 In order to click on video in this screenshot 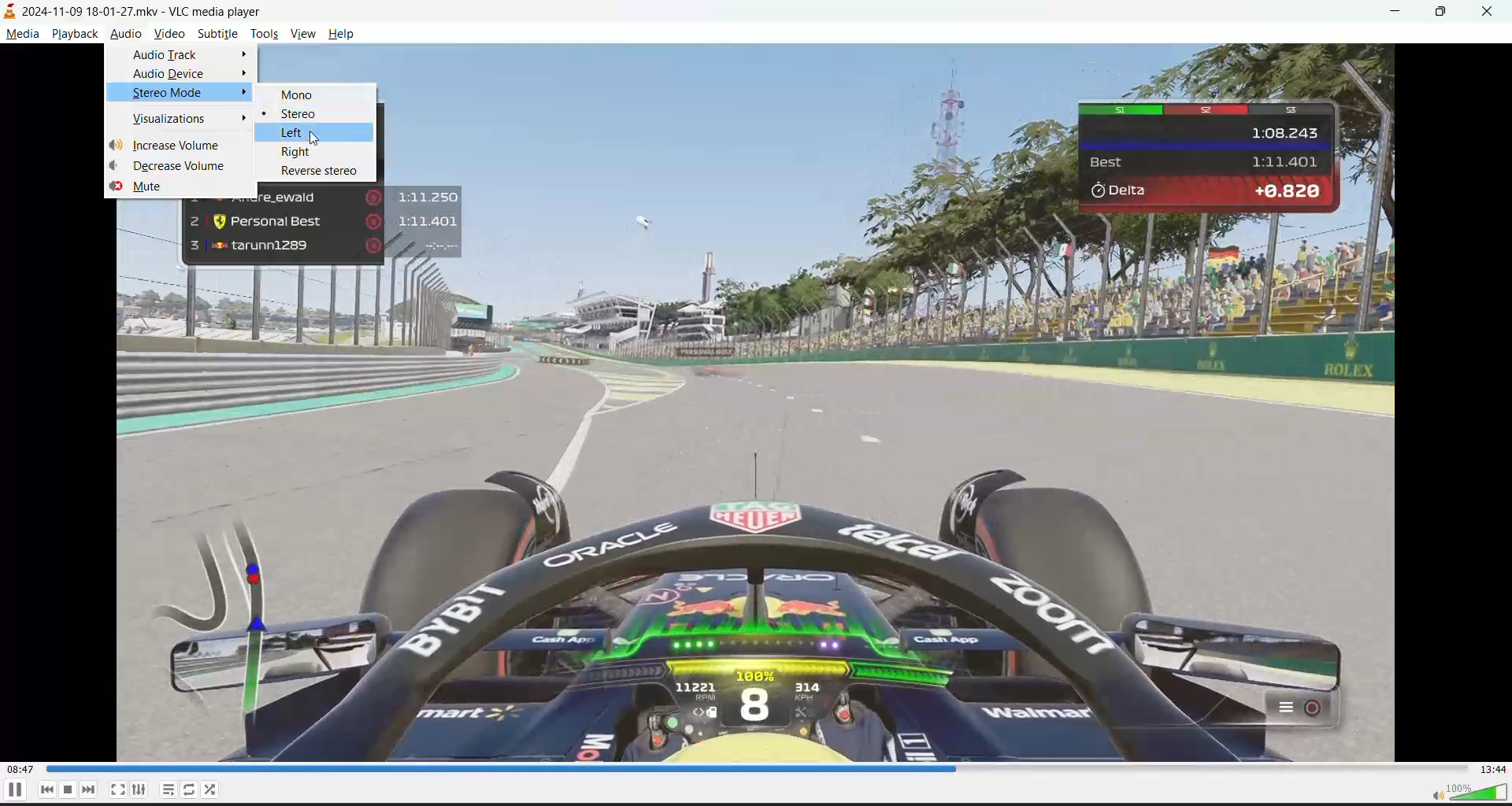, I will do `click(168, 33)`.